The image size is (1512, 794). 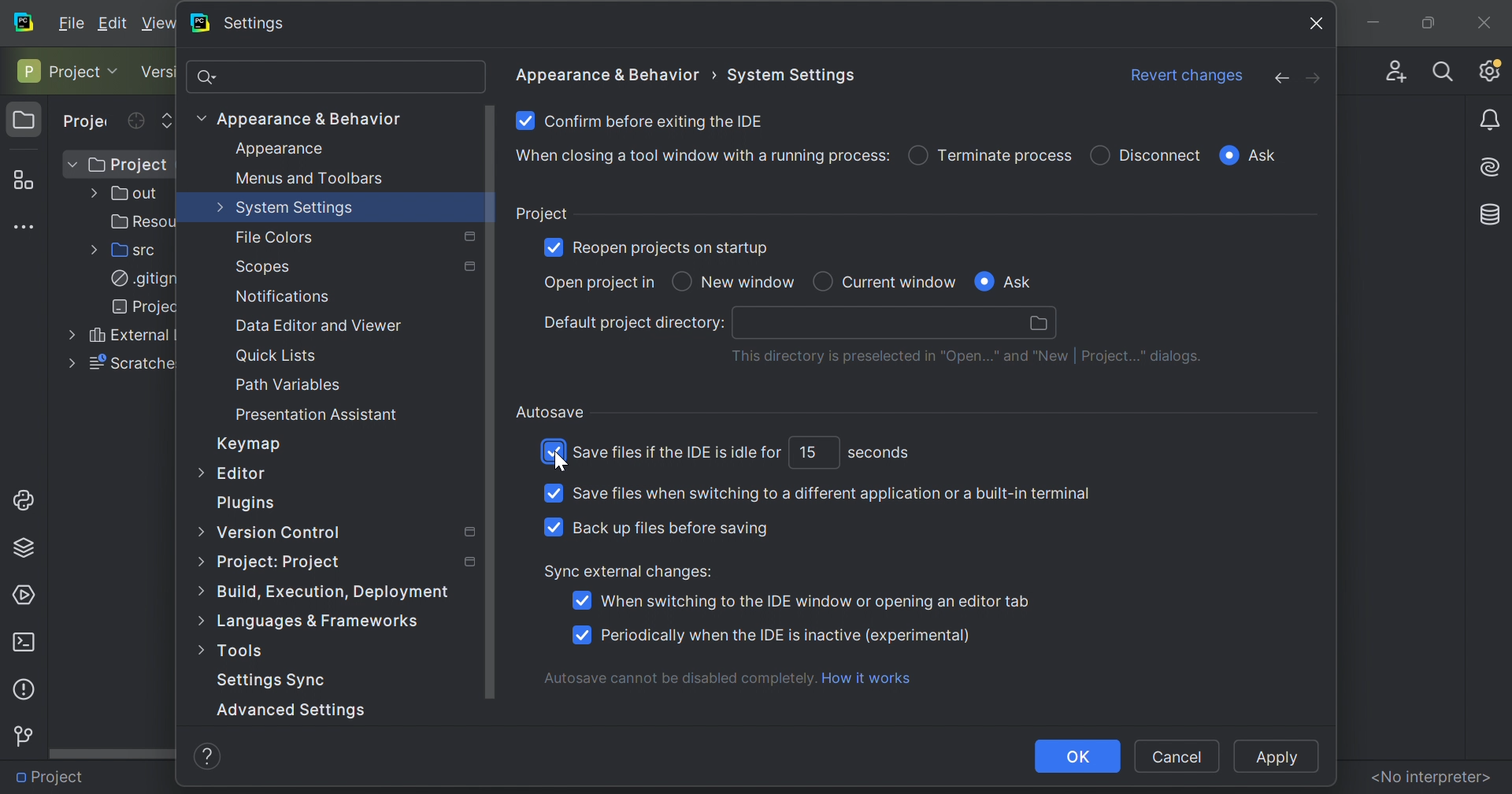 I want to click on Back up files before saving, so click(x=669, y=528).